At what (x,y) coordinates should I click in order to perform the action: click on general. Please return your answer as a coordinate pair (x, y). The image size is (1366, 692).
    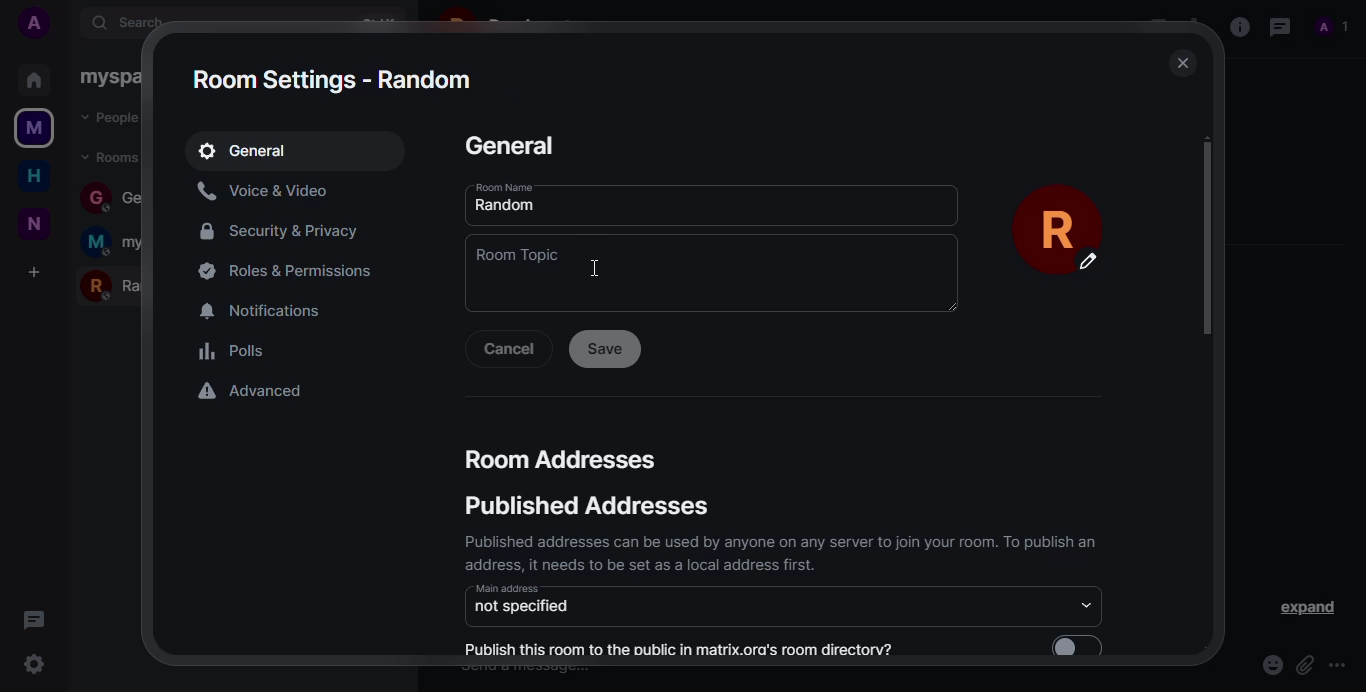
    Looking at the image, I should click on (512, 145).